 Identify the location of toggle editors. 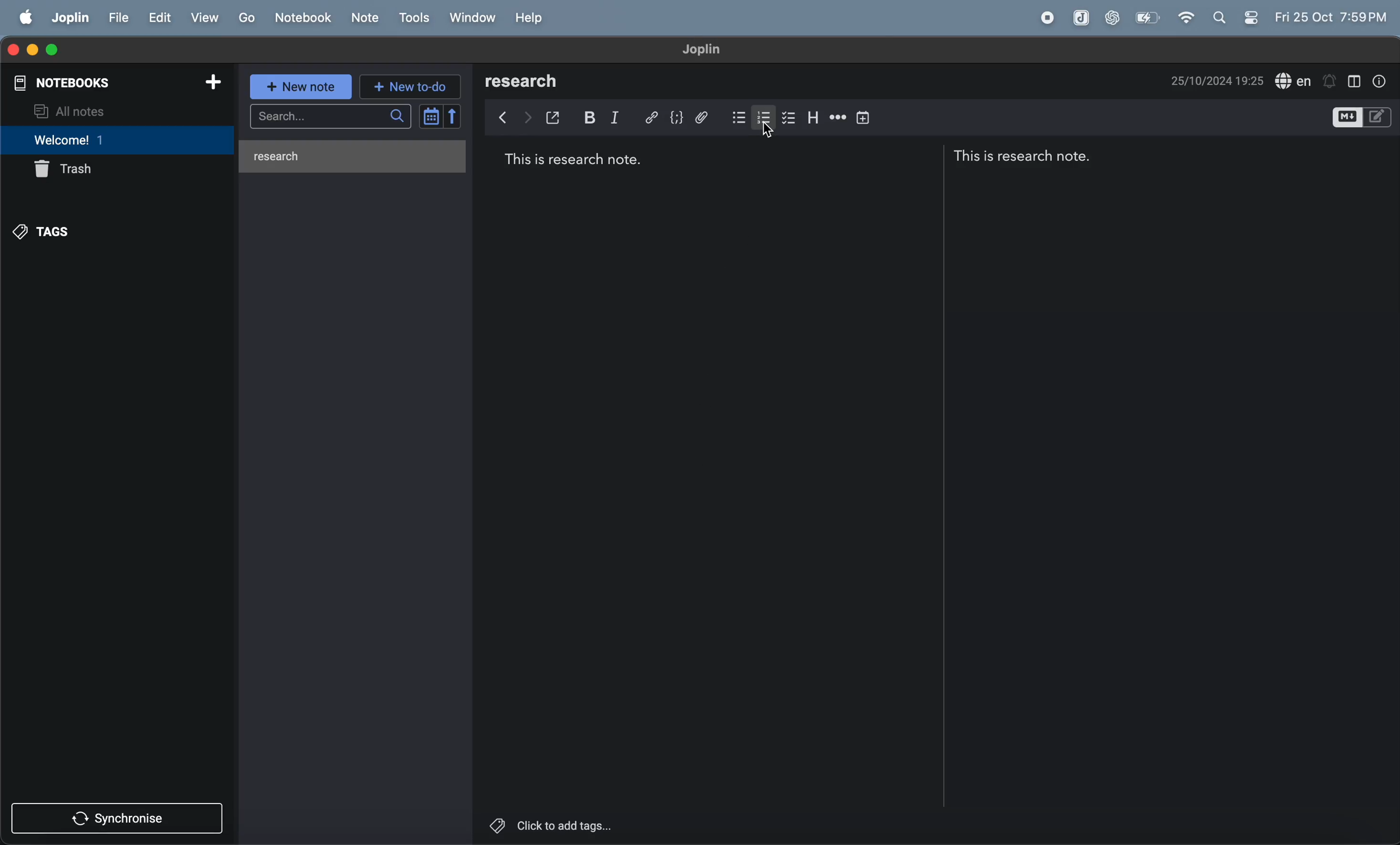
(1359, 116).